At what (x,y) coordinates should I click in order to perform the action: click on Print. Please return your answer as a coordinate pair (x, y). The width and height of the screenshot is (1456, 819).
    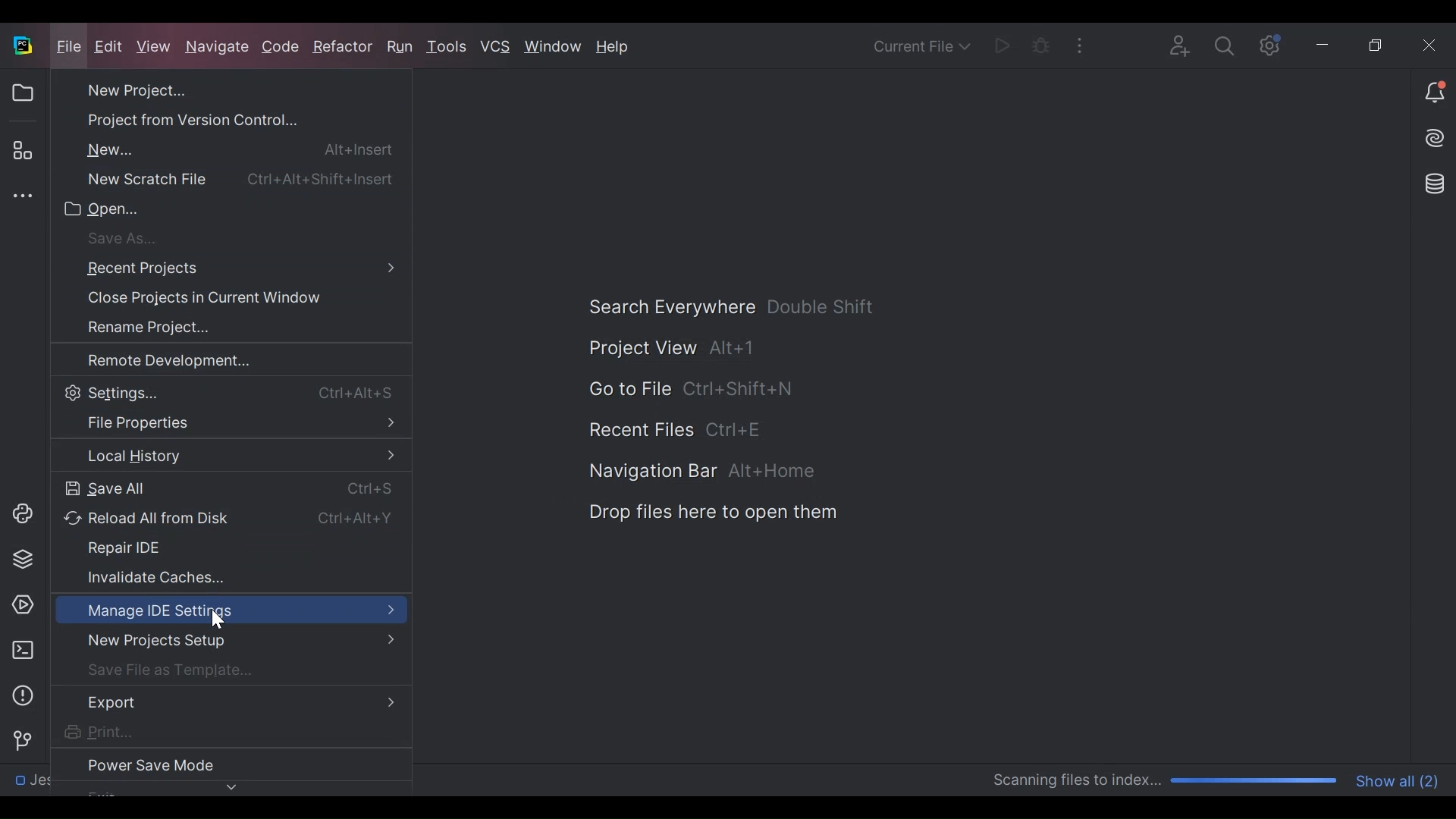
    Looking at the image, I should click on (209, 733).